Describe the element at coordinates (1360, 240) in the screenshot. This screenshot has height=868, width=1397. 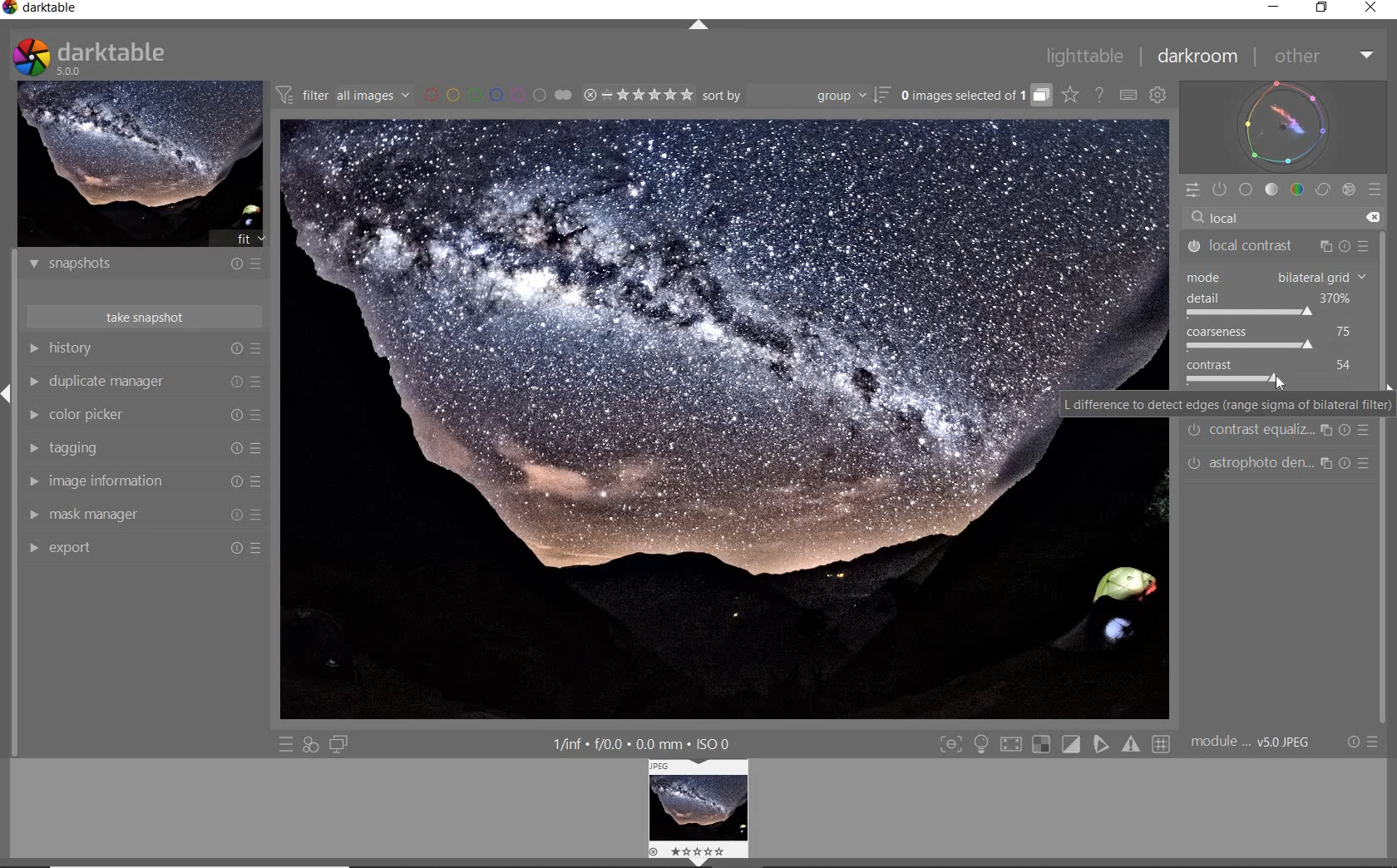
I see `presets` at that location.